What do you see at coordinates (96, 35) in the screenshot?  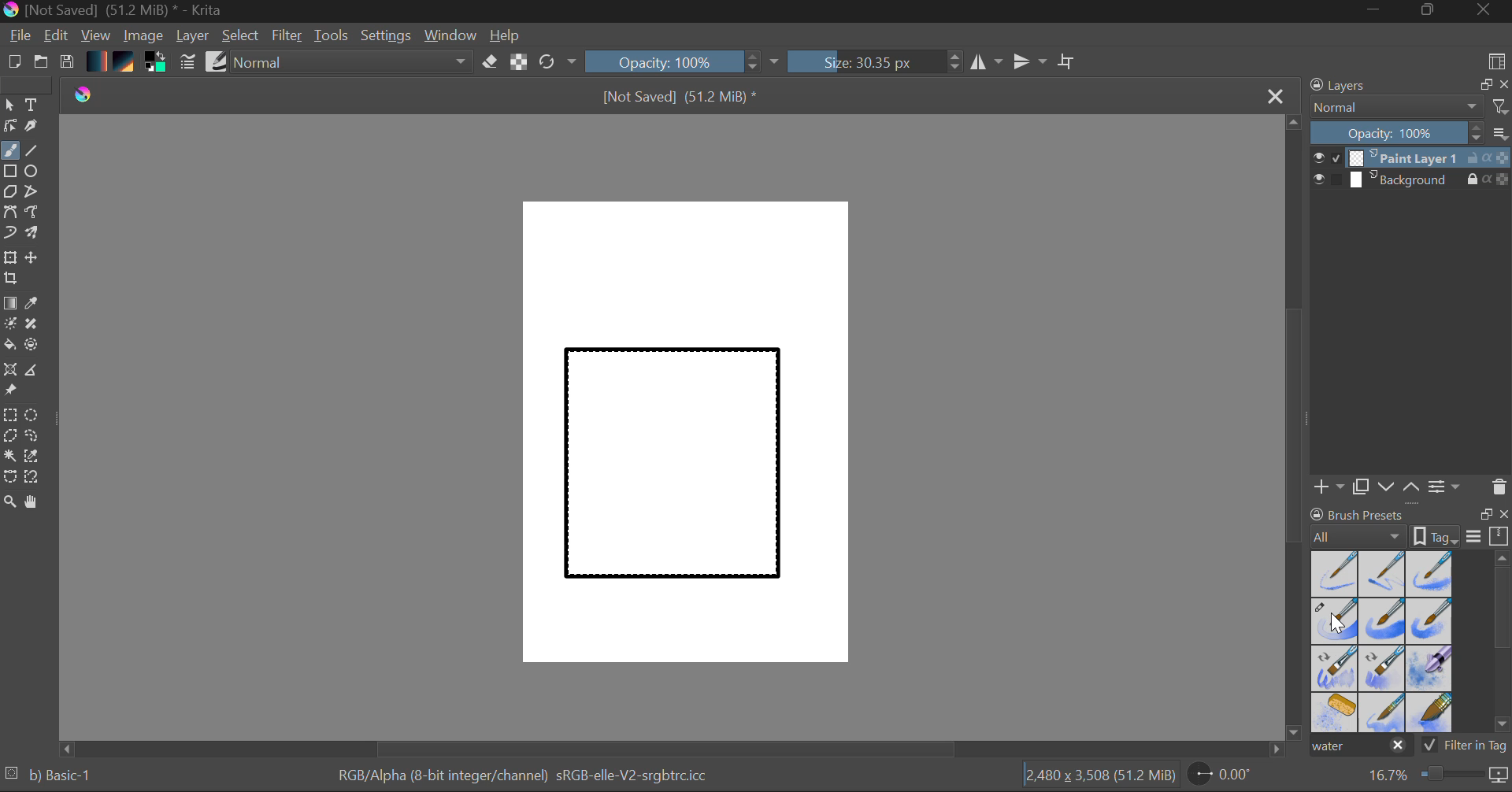 I see `View` at bounding box center [96, 35].